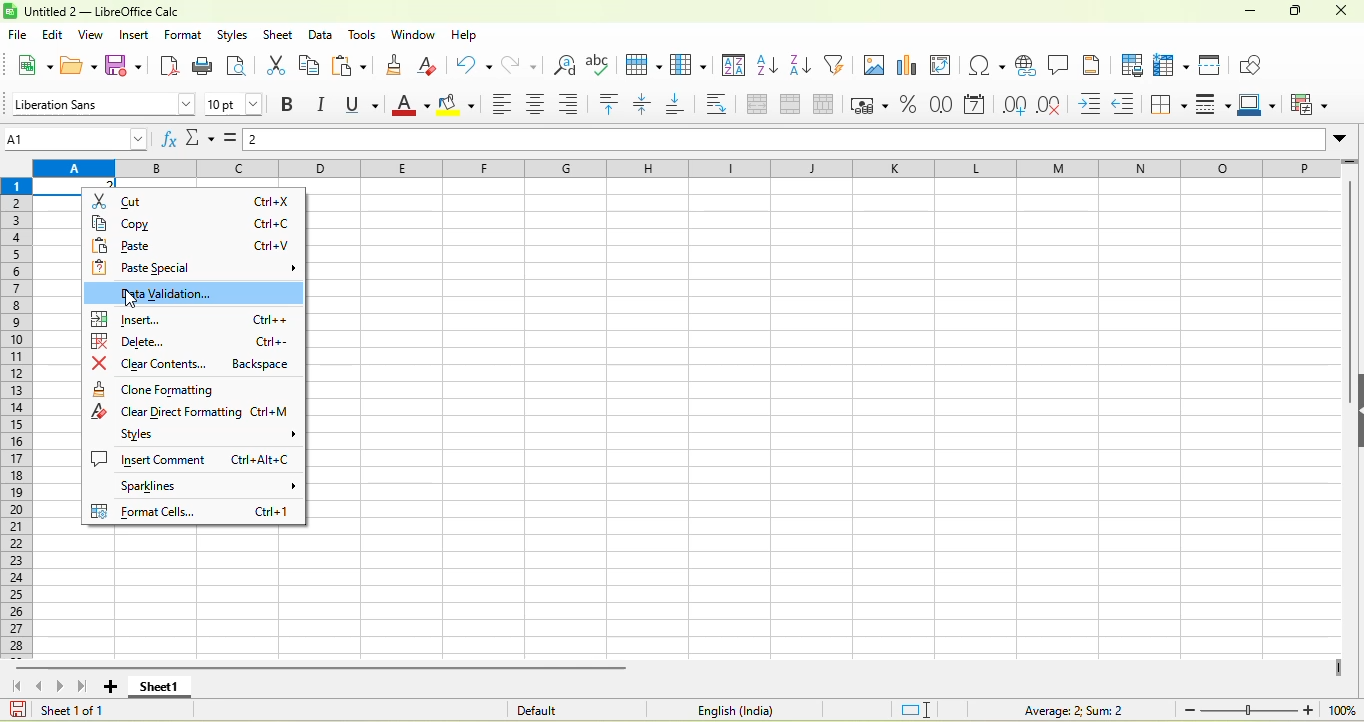  Describe the element at coordinates (1346, 141) in the screenshot. I see `expand formula bar` at that location.